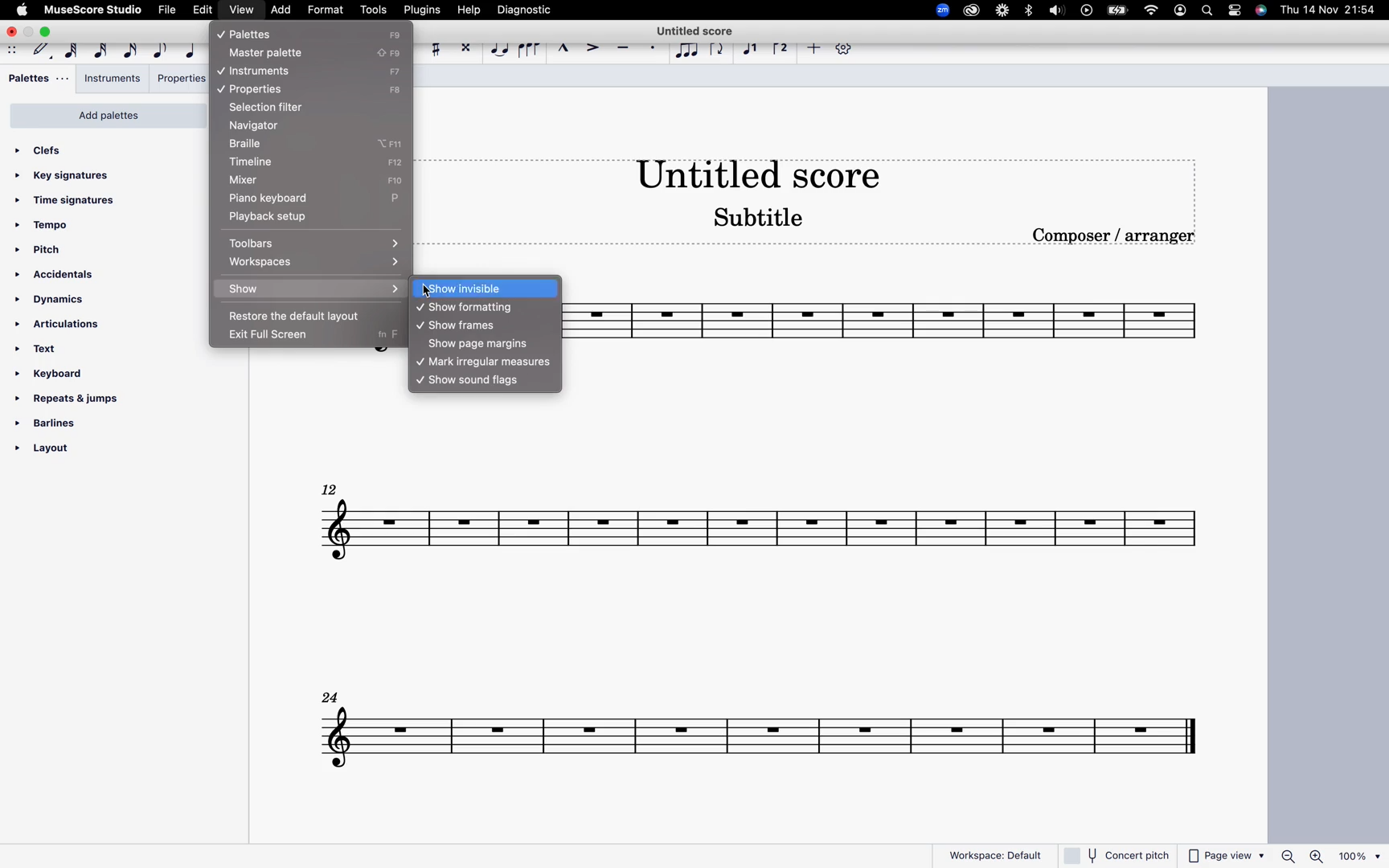 The image size is (1389, 868). Describe the element at coordinates (372, 11) in the screenshot. I see `tools` at that location.